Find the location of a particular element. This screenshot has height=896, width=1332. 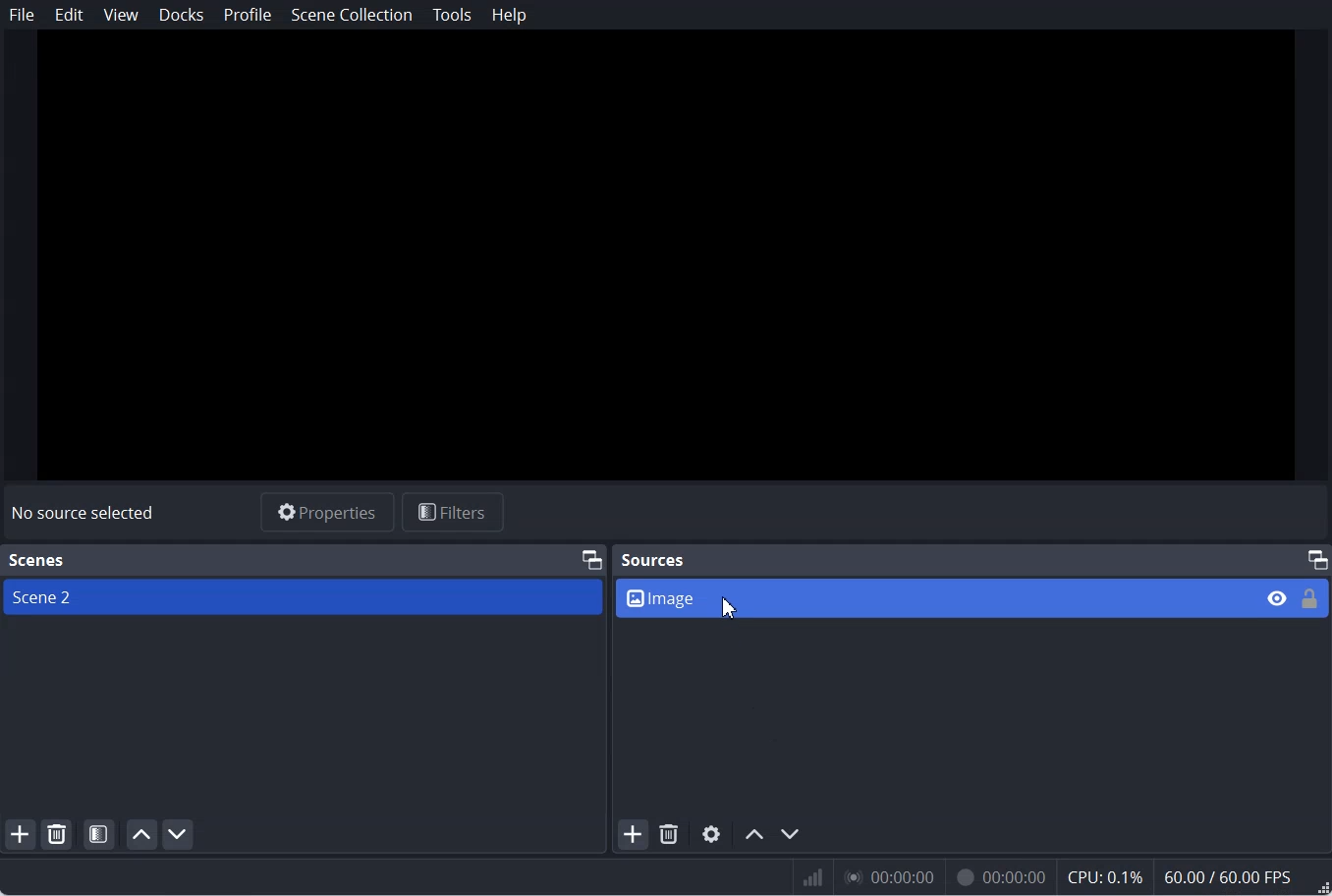

Remove selected Scene is located at coordinates (57, 834).